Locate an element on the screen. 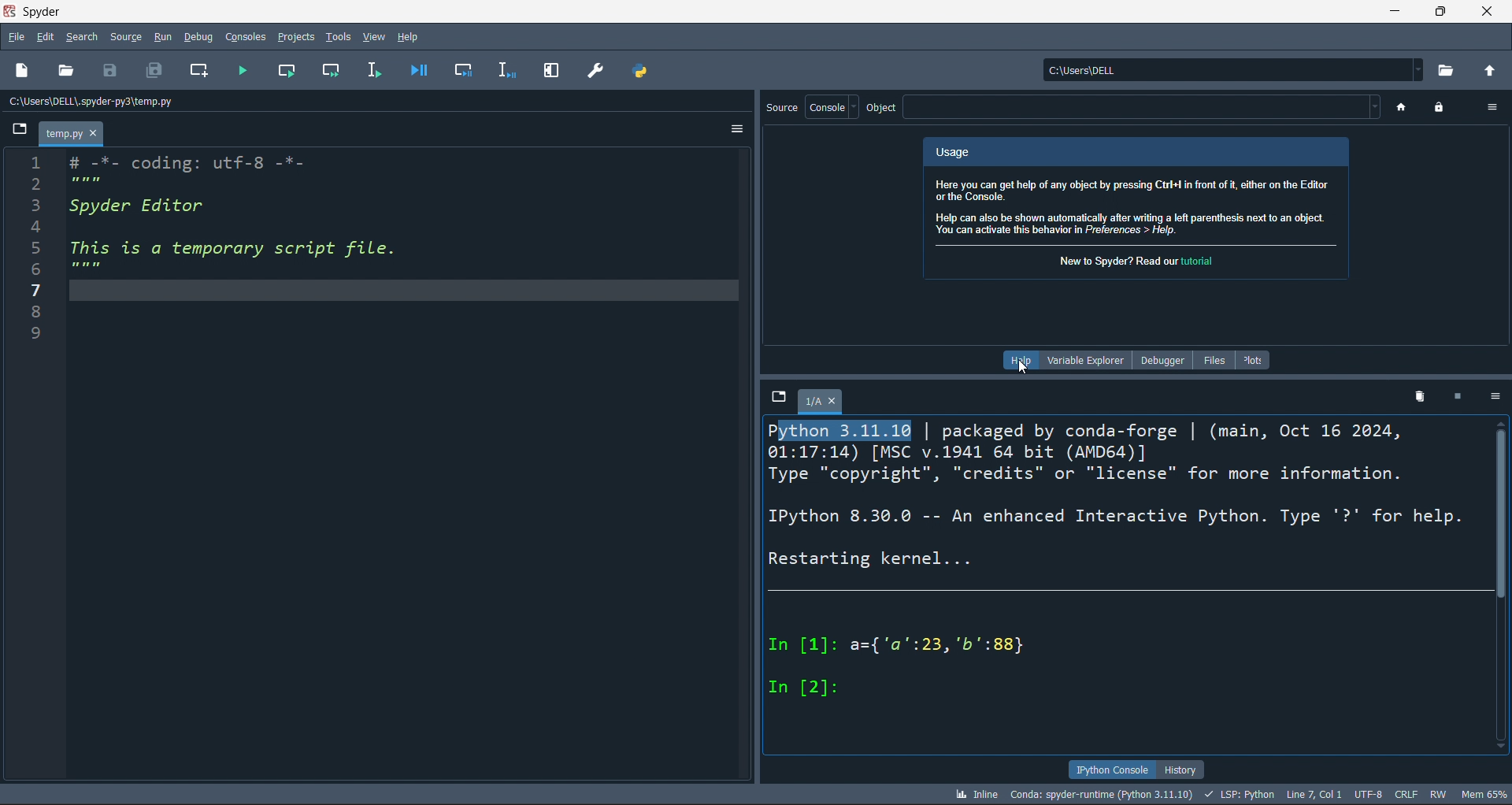  run is located at coordinates (159, 36).